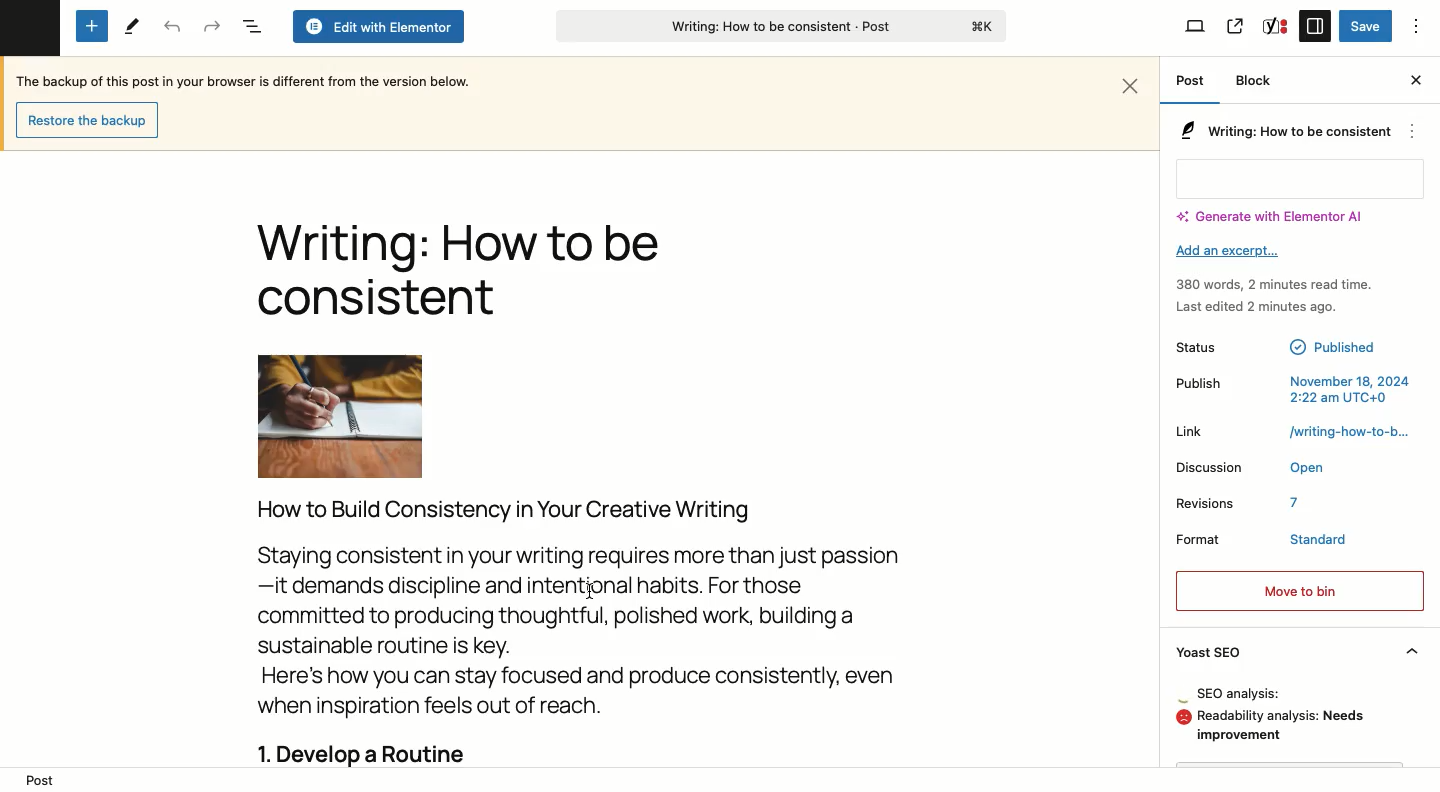  Describe the element at coordinates (1293, 433) in the screenshot. I see `Link` at that location.